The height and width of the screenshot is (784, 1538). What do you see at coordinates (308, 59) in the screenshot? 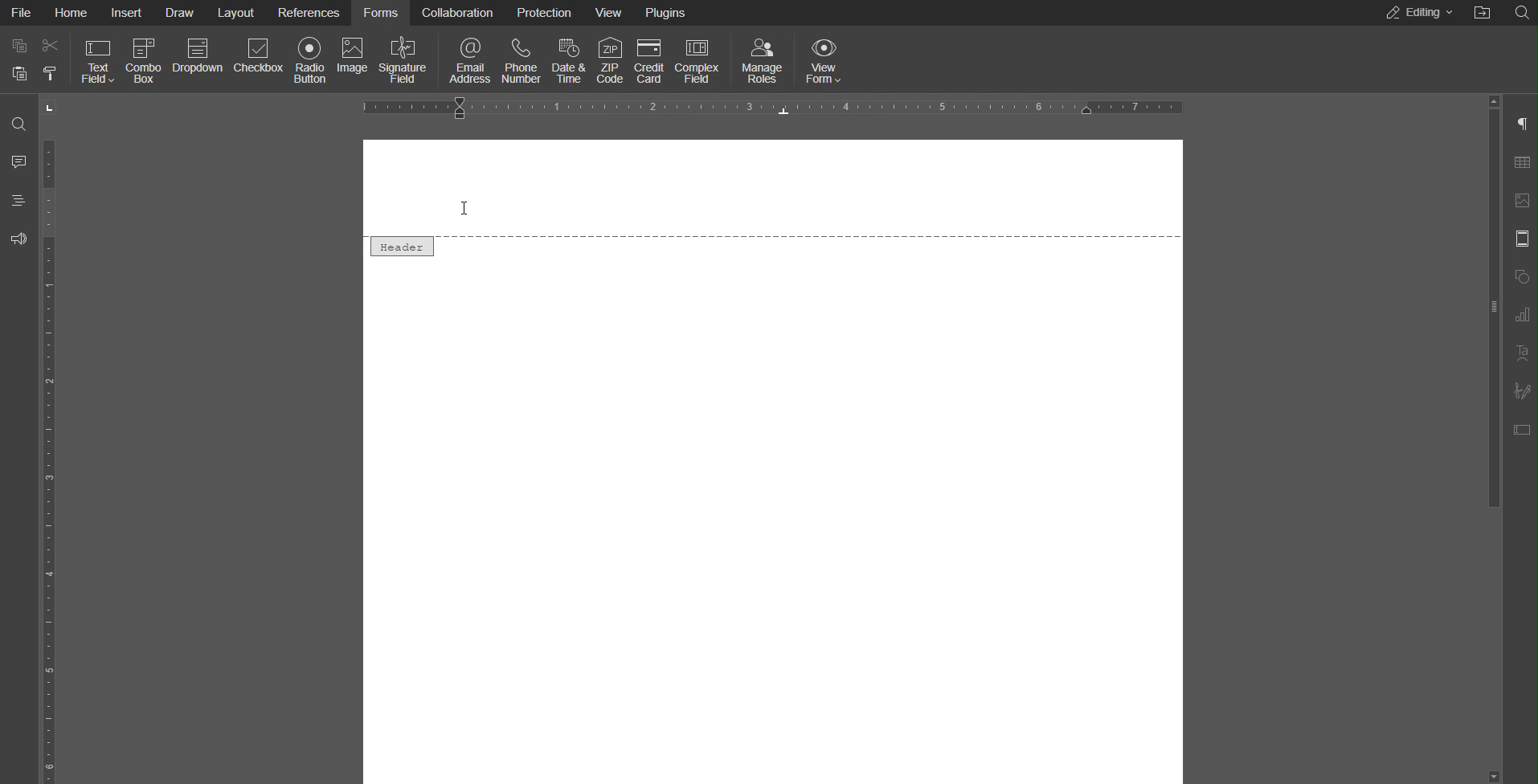
I see `Radio Button` at bounding box center [308, 59].